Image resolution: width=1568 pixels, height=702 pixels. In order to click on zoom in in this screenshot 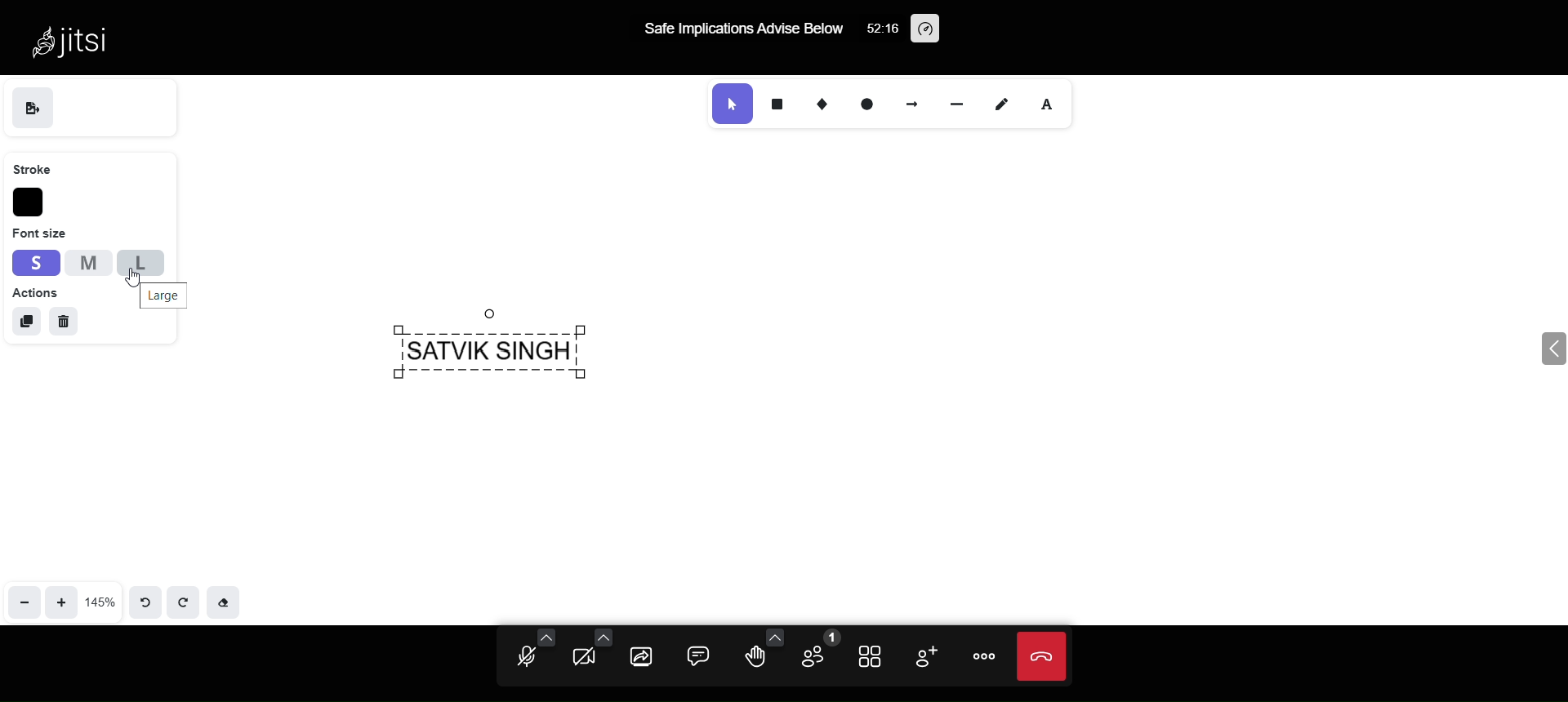, I will do `click(63, 600)`.